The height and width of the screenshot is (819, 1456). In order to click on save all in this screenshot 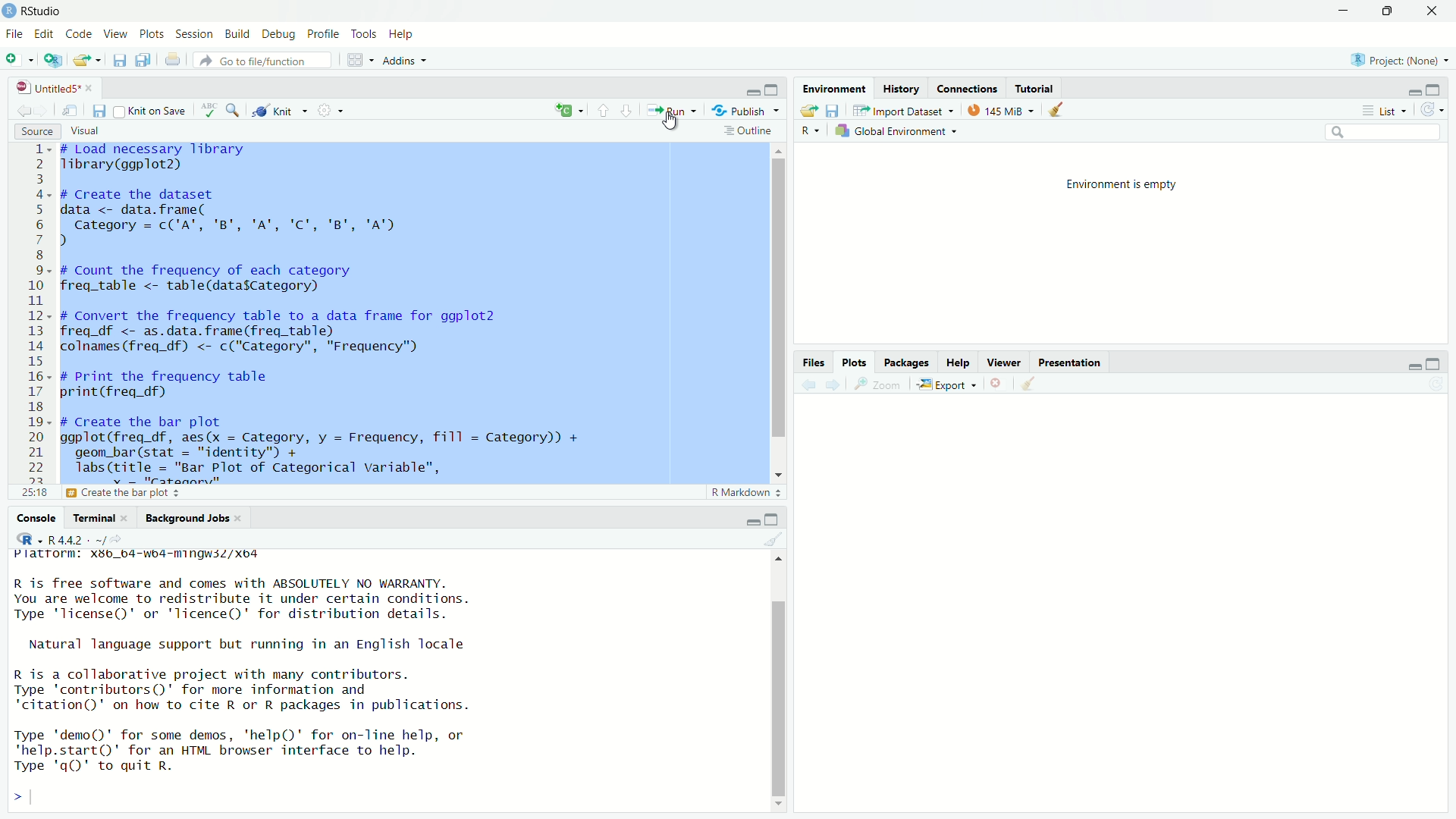, I will do `click(146, 60)`.